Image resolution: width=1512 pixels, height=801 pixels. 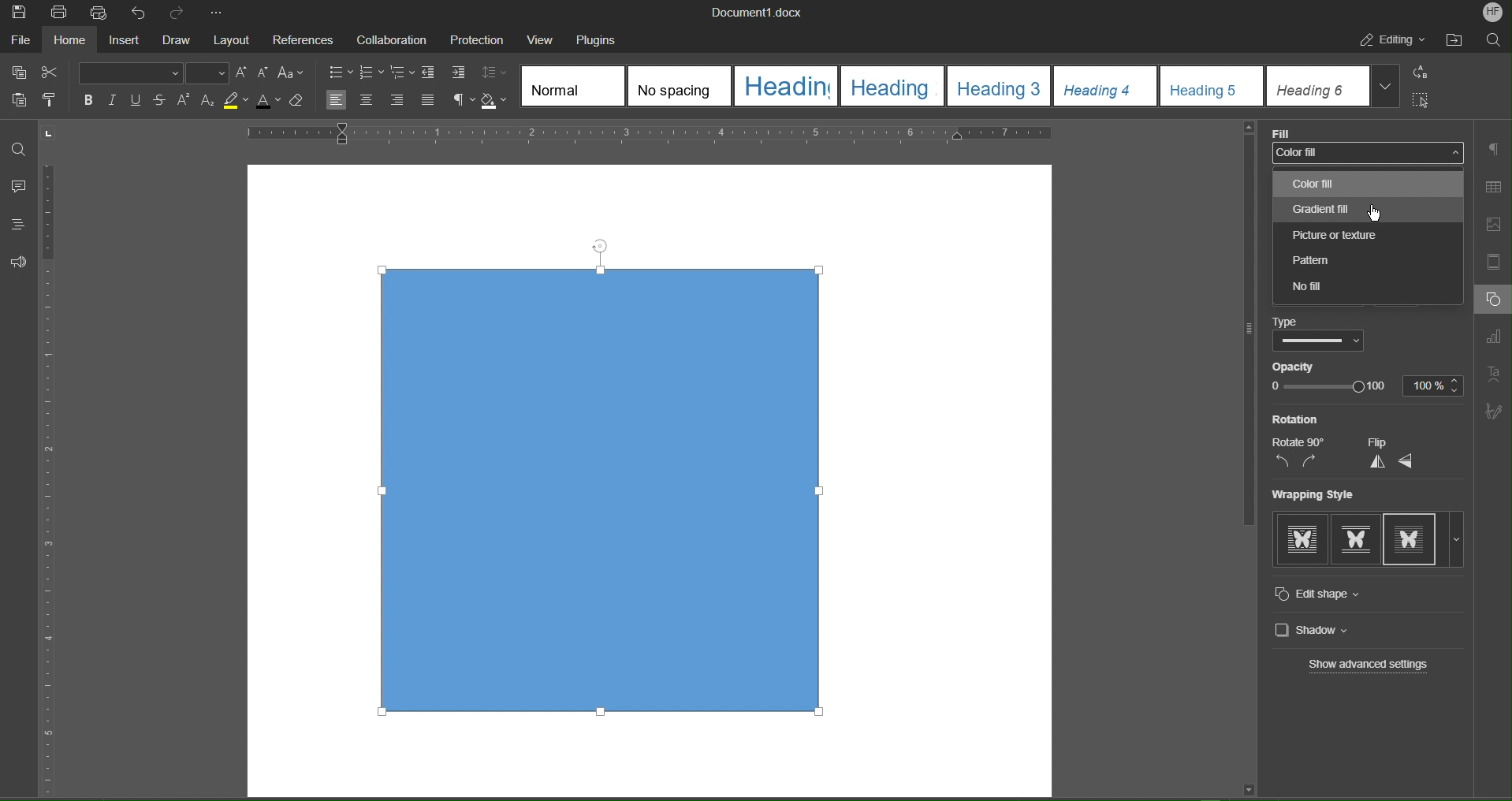 What do you see at coordinates (292, 73) in the screenshot?
I see `Shift font case` at bounding box center [292, 73].